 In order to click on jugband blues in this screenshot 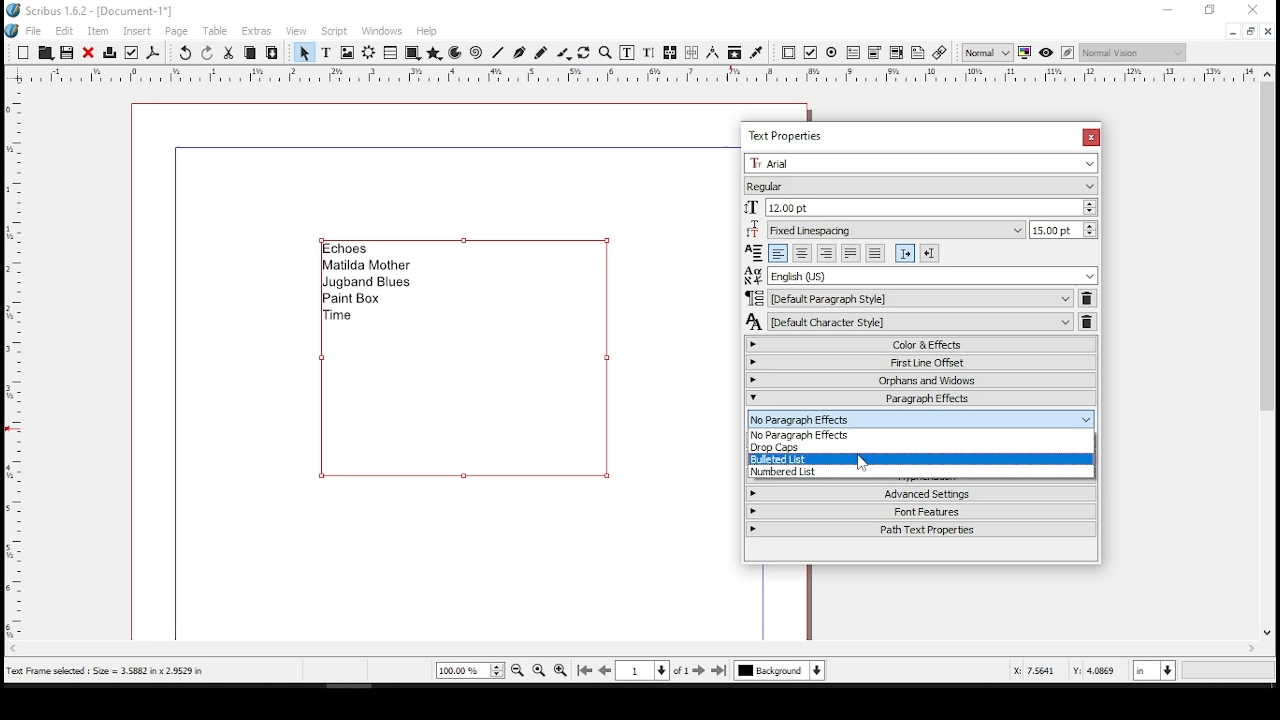, I will do `click(369, 284)`.